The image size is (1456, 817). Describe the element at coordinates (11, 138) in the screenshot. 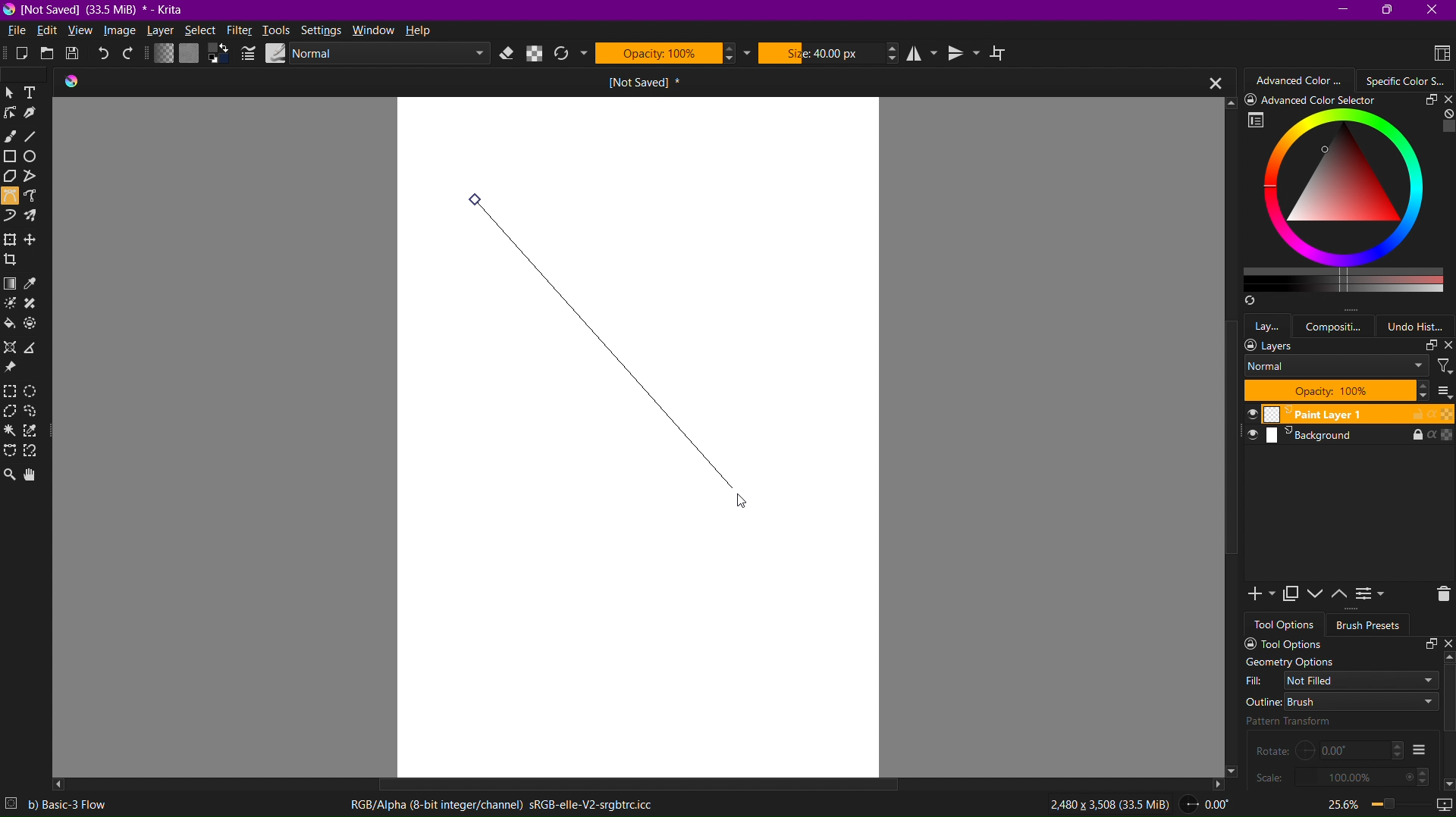

I see `Brush Tool` at that location.